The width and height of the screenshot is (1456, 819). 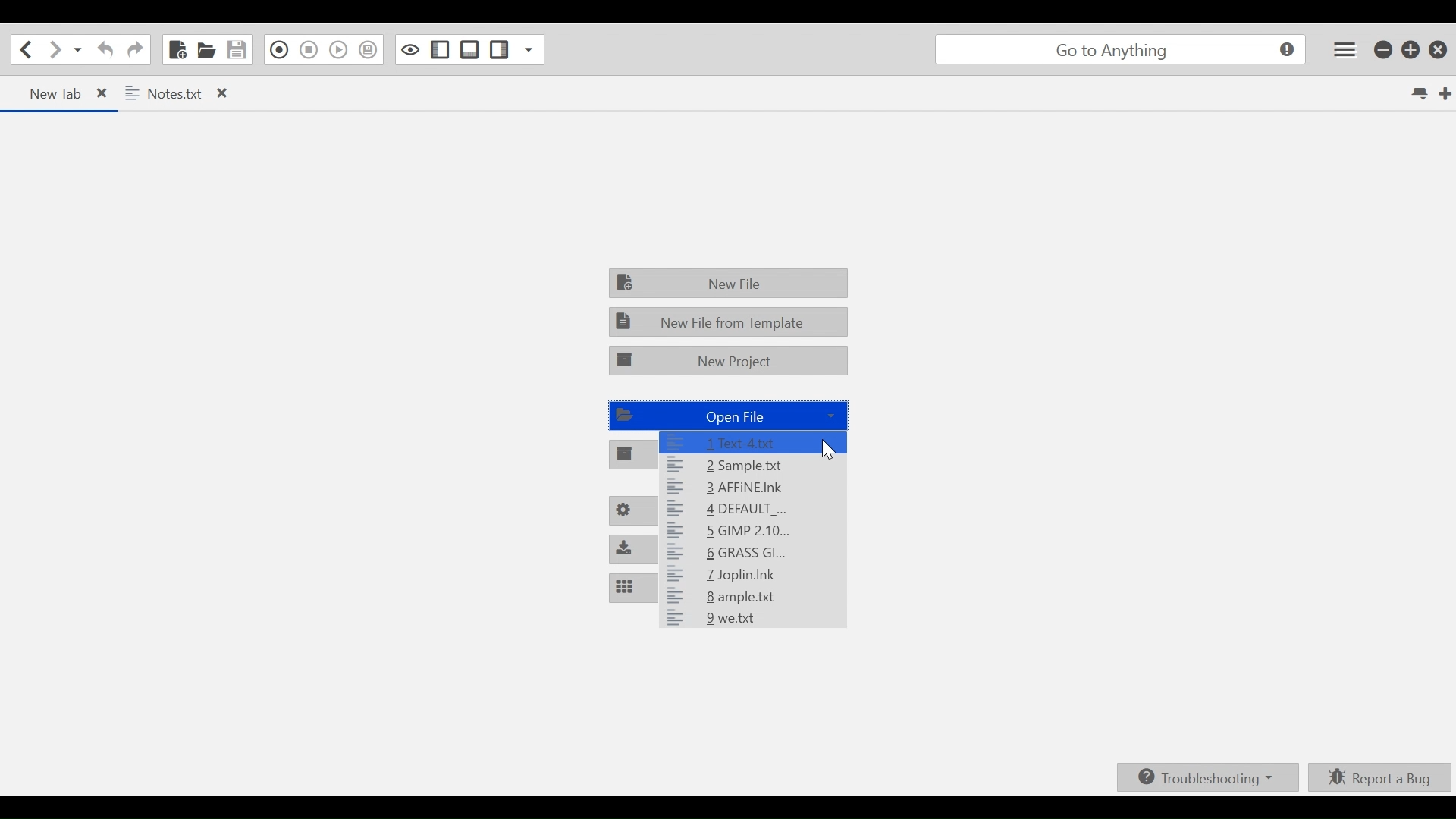 What do you see at coordinates (1409, 50) in the screenshot?
I see `Restore` at bounding box center [1409, 50].